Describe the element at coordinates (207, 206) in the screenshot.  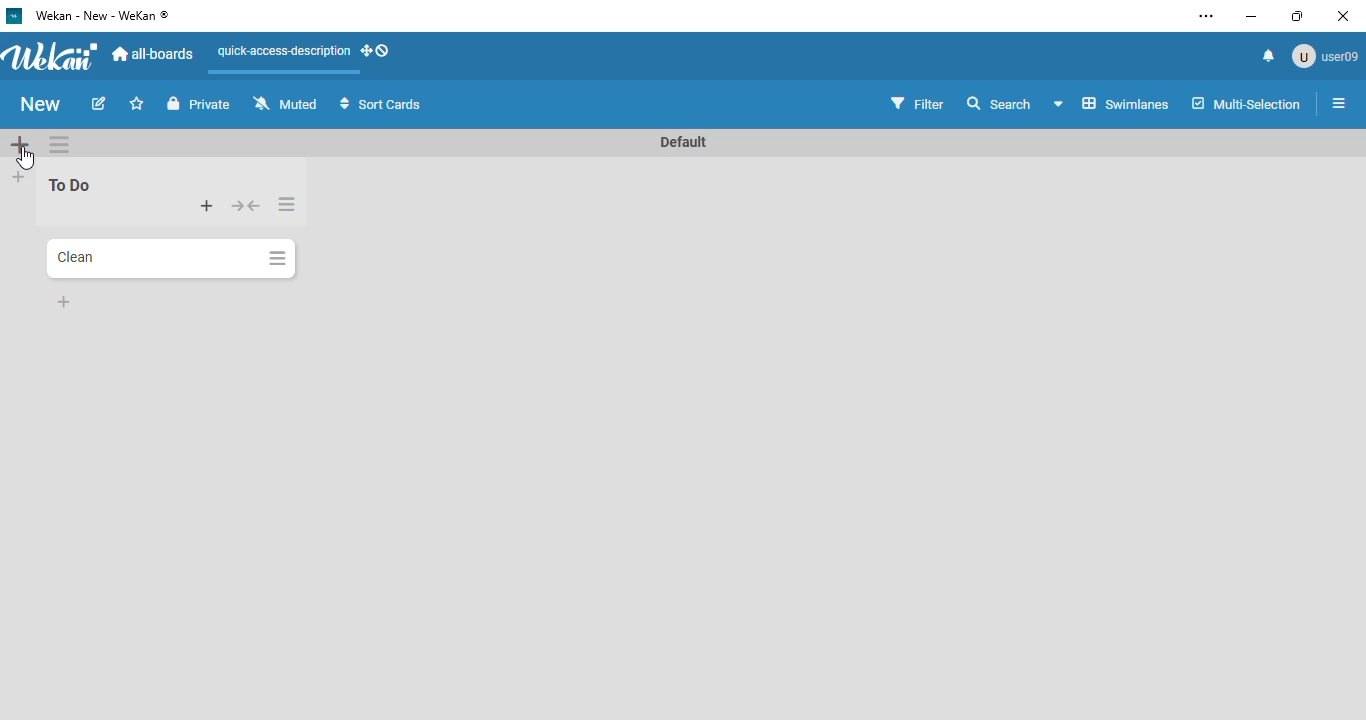
I see `add card to top of list` at that location.